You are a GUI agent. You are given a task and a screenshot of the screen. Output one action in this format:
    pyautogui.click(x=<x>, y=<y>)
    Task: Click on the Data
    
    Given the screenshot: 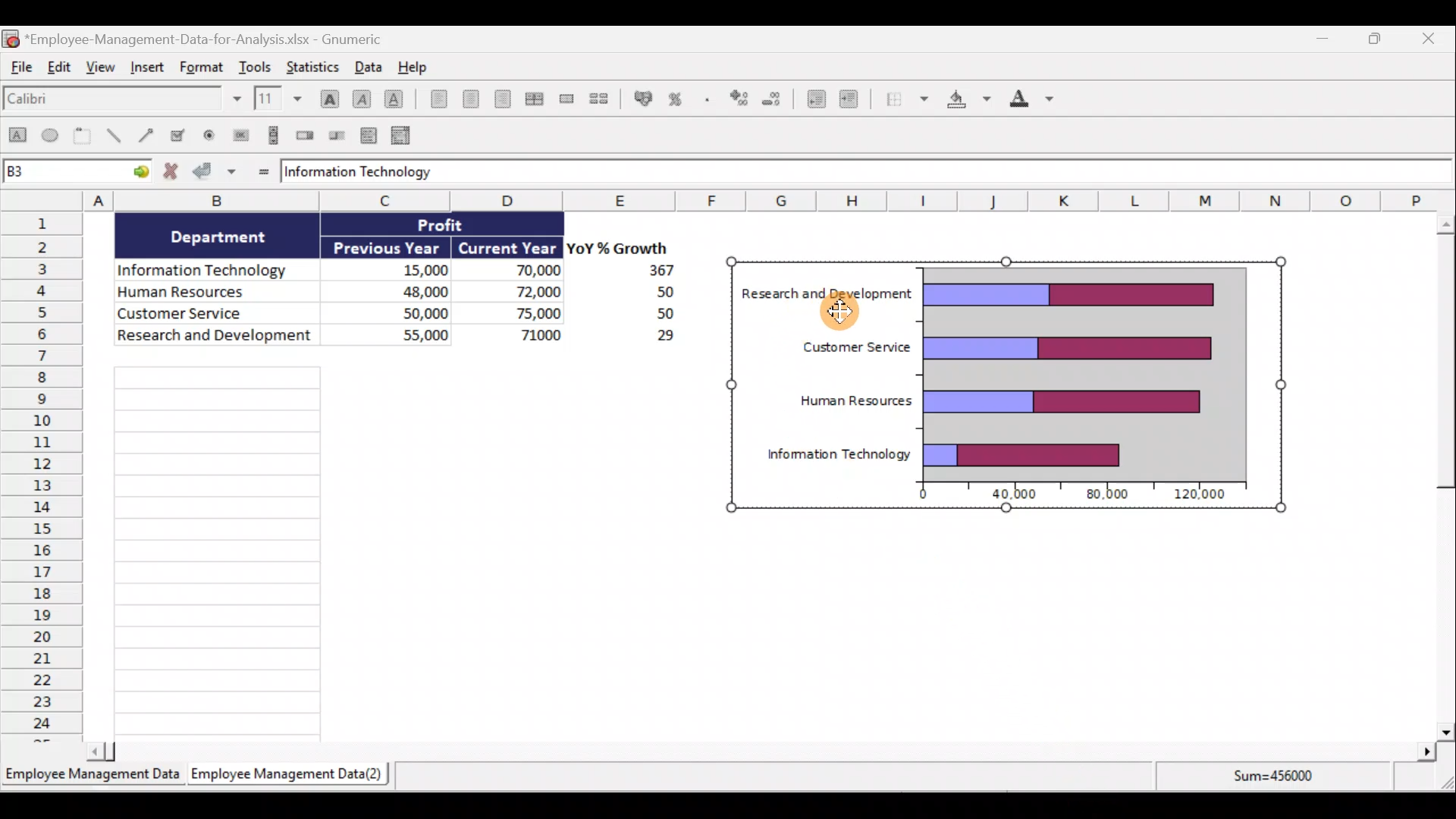 What is the action you would take?
    pyautogui.click(x=368, y=66)
    